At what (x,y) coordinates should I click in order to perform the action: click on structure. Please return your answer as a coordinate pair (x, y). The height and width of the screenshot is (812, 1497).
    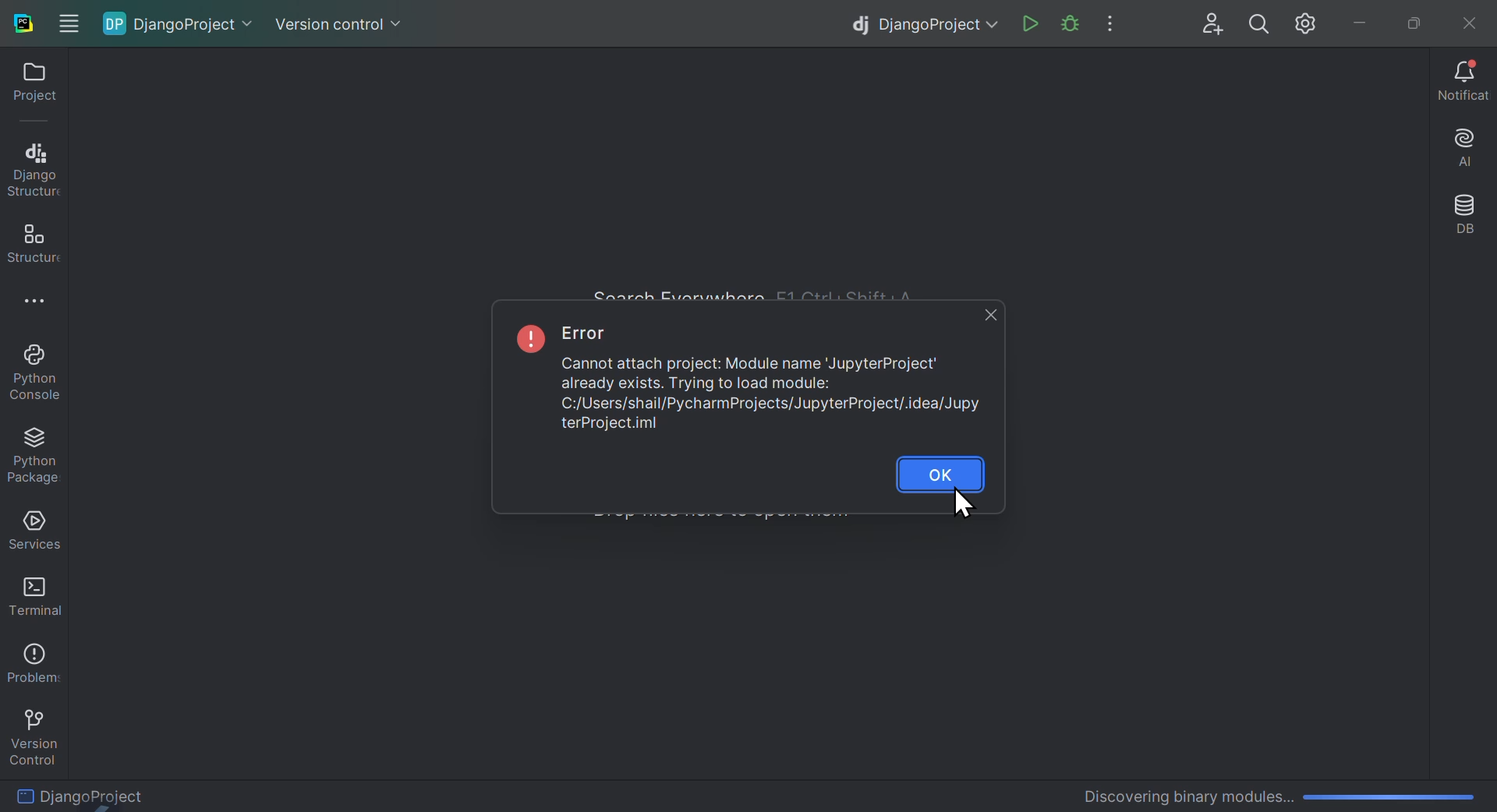
    Looking at the image, I should click on (30, 243).